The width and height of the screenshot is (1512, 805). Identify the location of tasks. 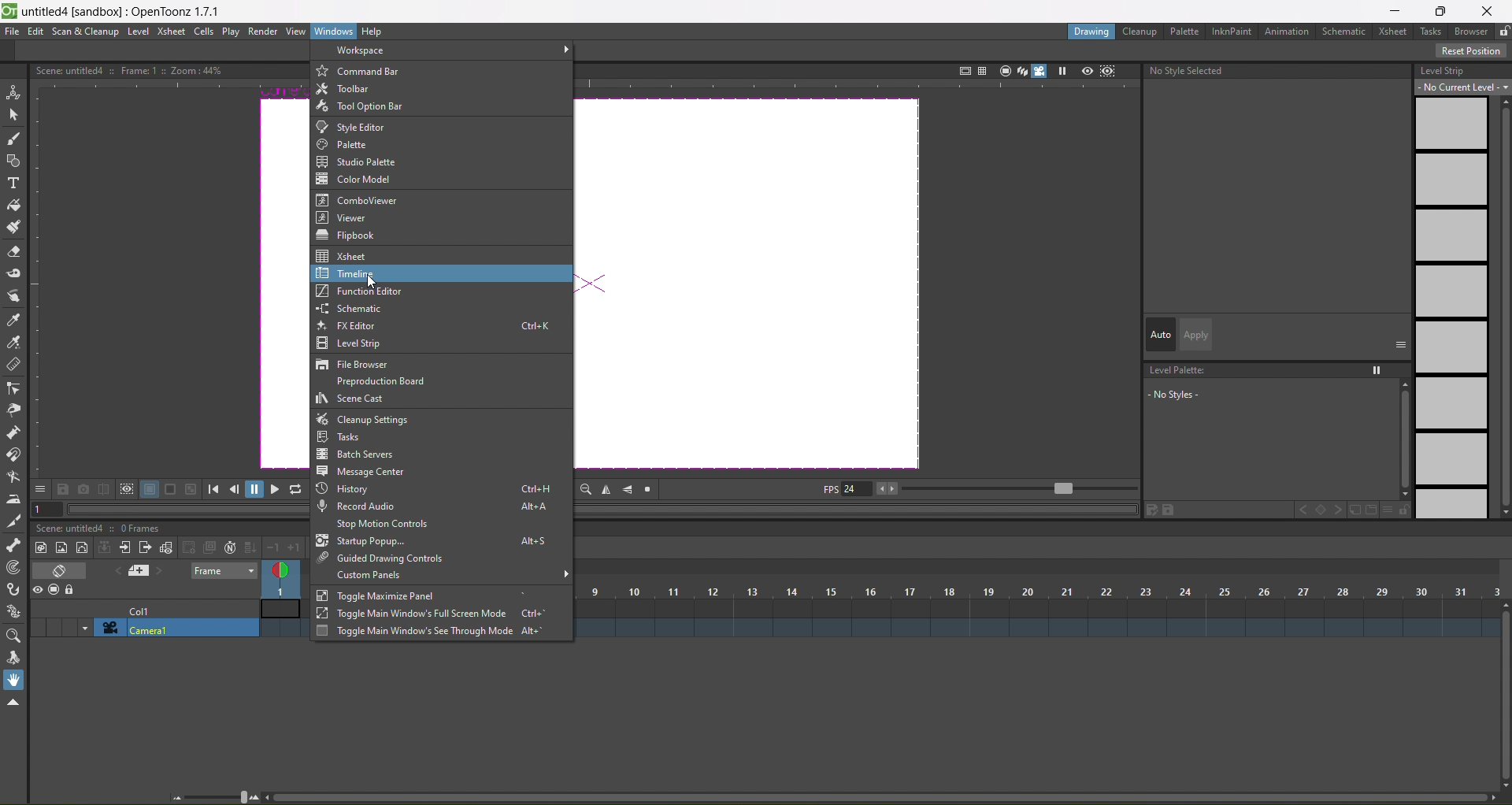
(339, 438).